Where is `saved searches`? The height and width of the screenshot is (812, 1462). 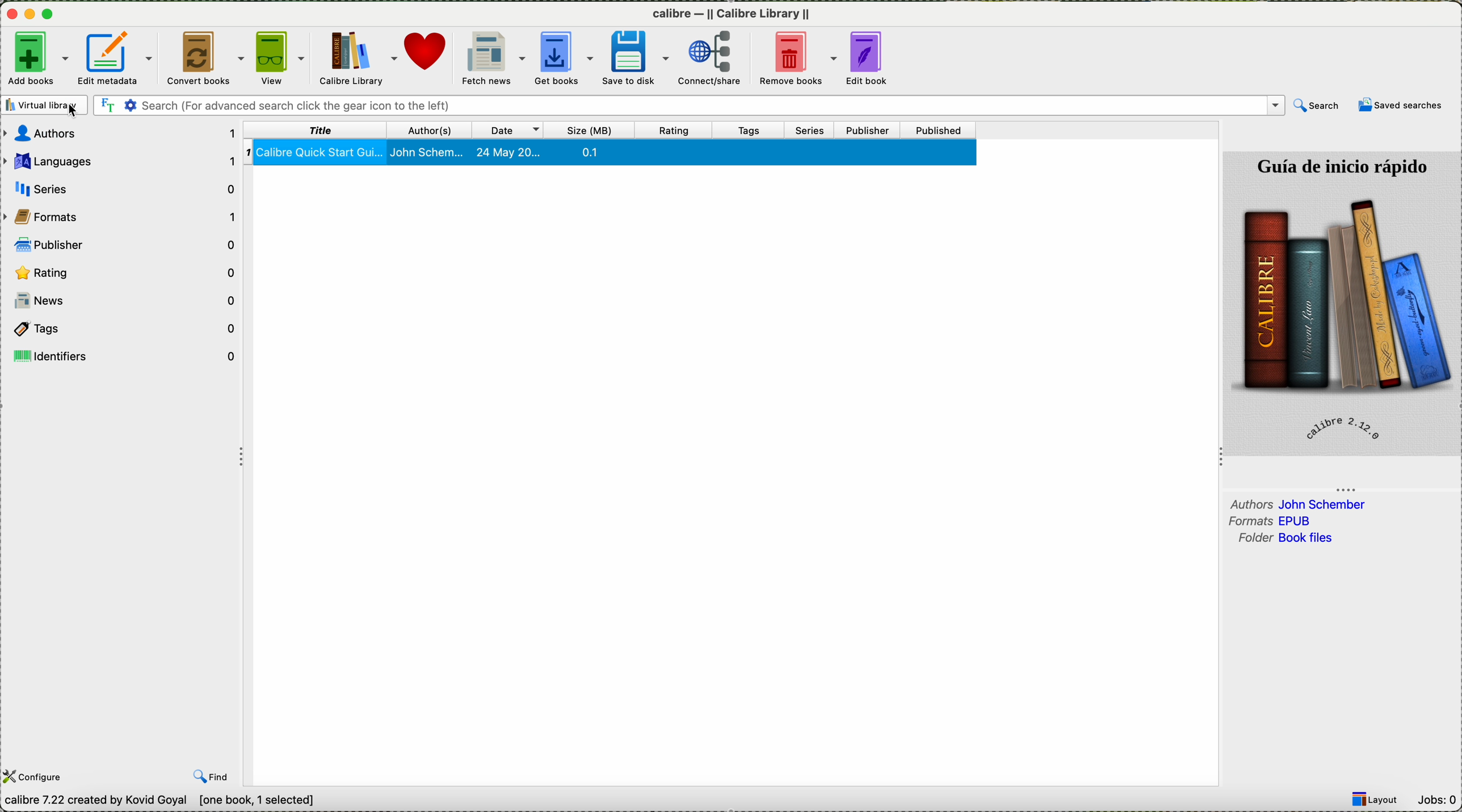 saved searches is located at coordinates (1402, 106).